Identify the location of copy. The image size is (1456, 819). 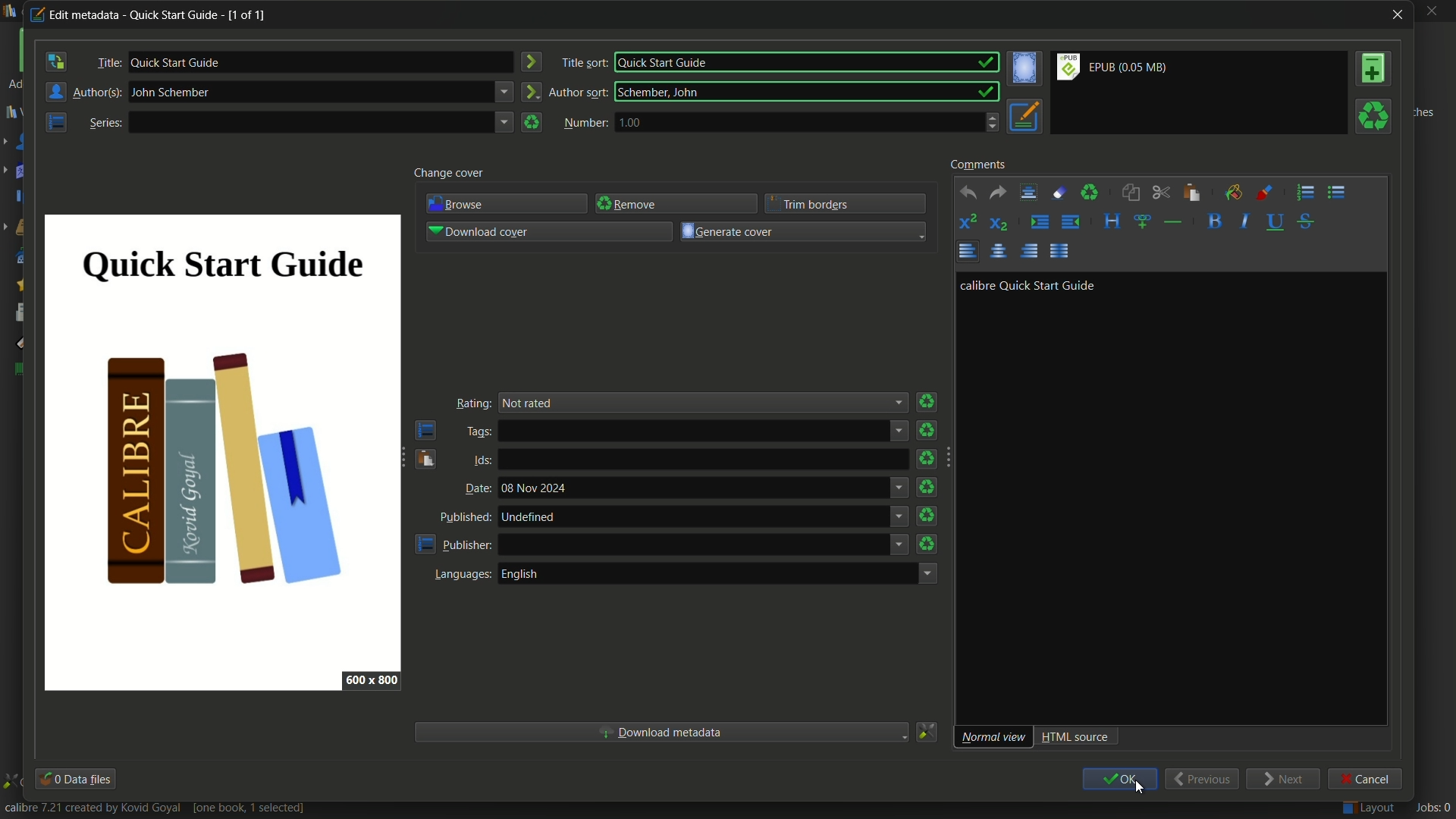
(1131, 193).